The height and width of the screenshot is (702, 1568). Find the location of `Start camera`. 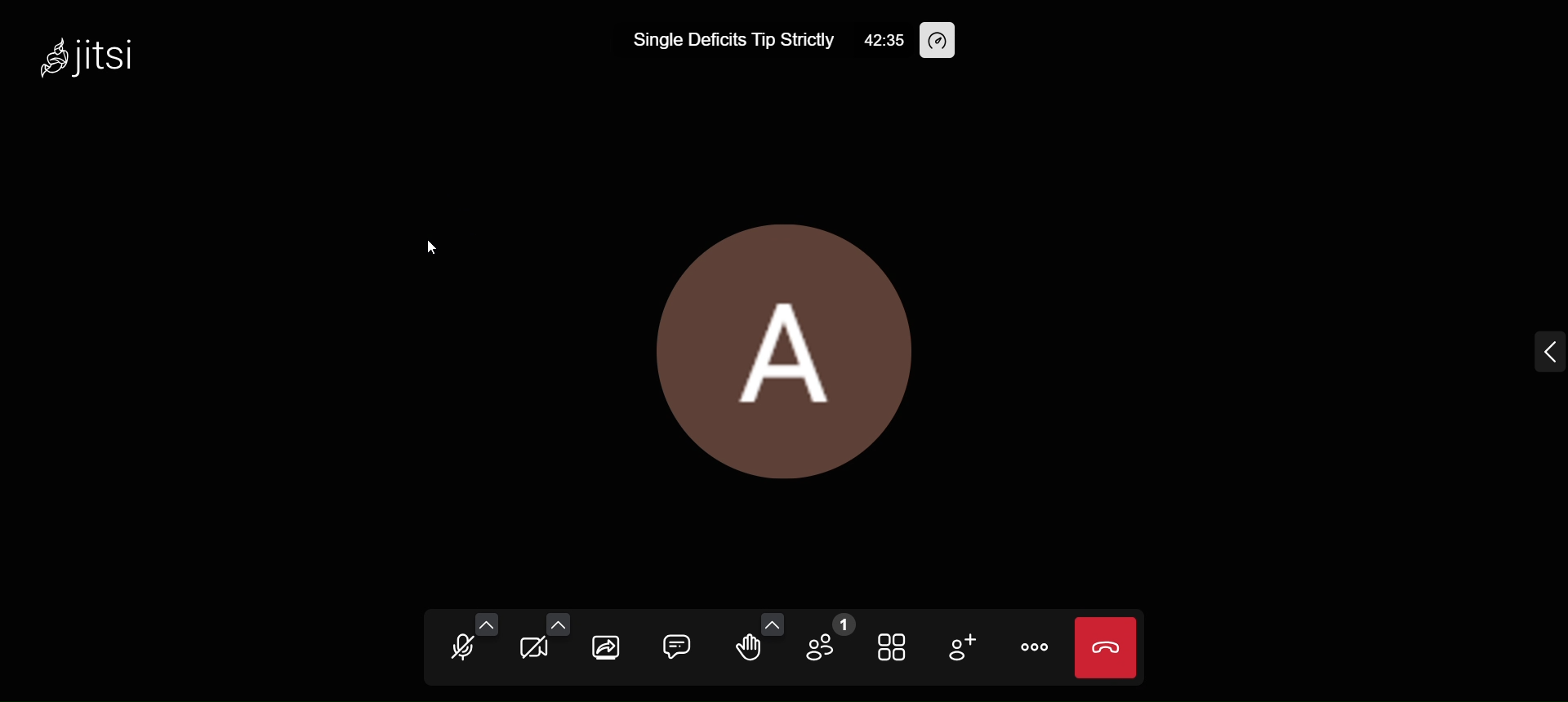

Start camera is located at coordinates (532, 651).